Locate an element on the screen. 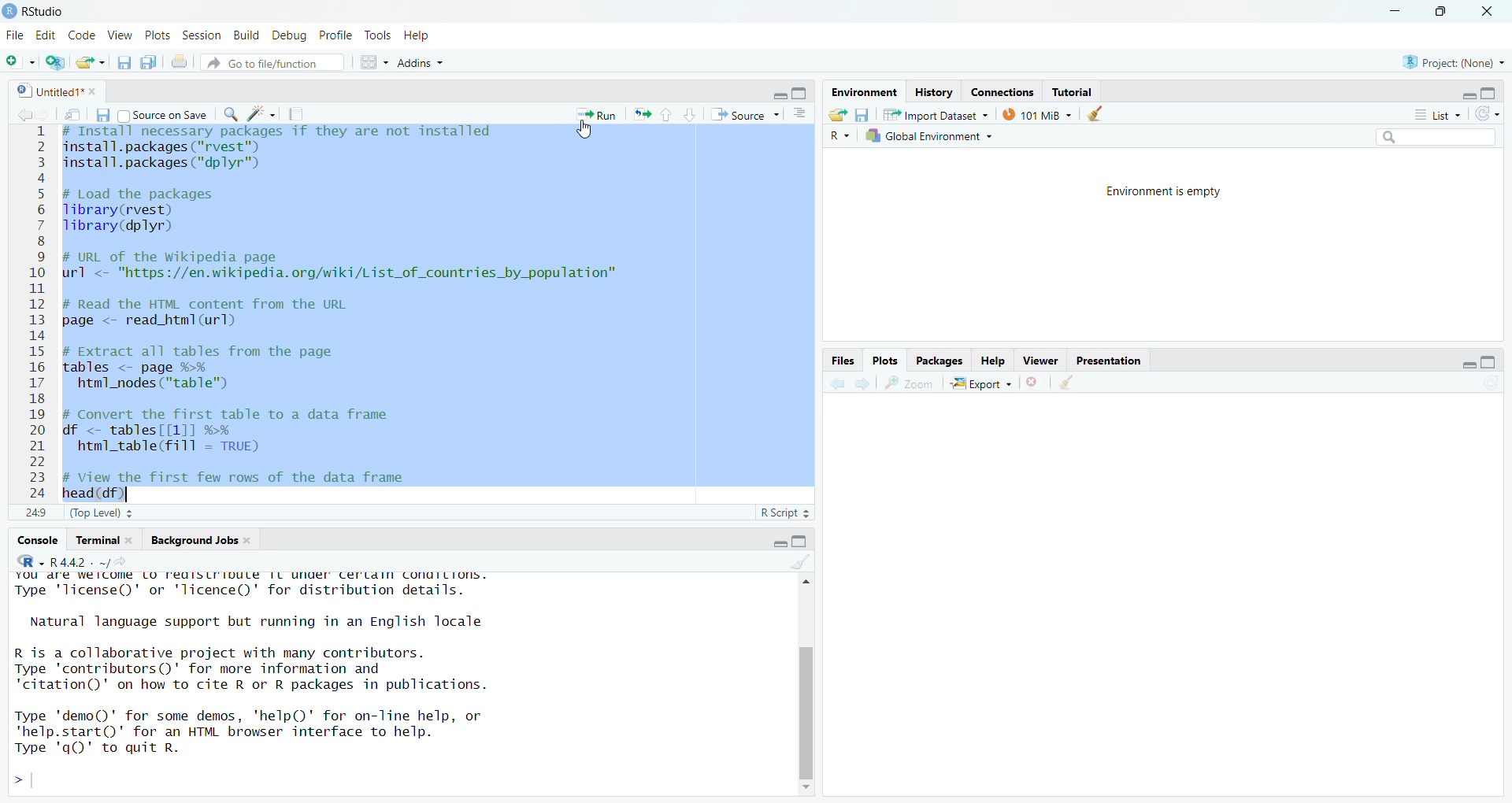 This screenshot has width=1512, height=803. file search is located at coordinates (272, 62).